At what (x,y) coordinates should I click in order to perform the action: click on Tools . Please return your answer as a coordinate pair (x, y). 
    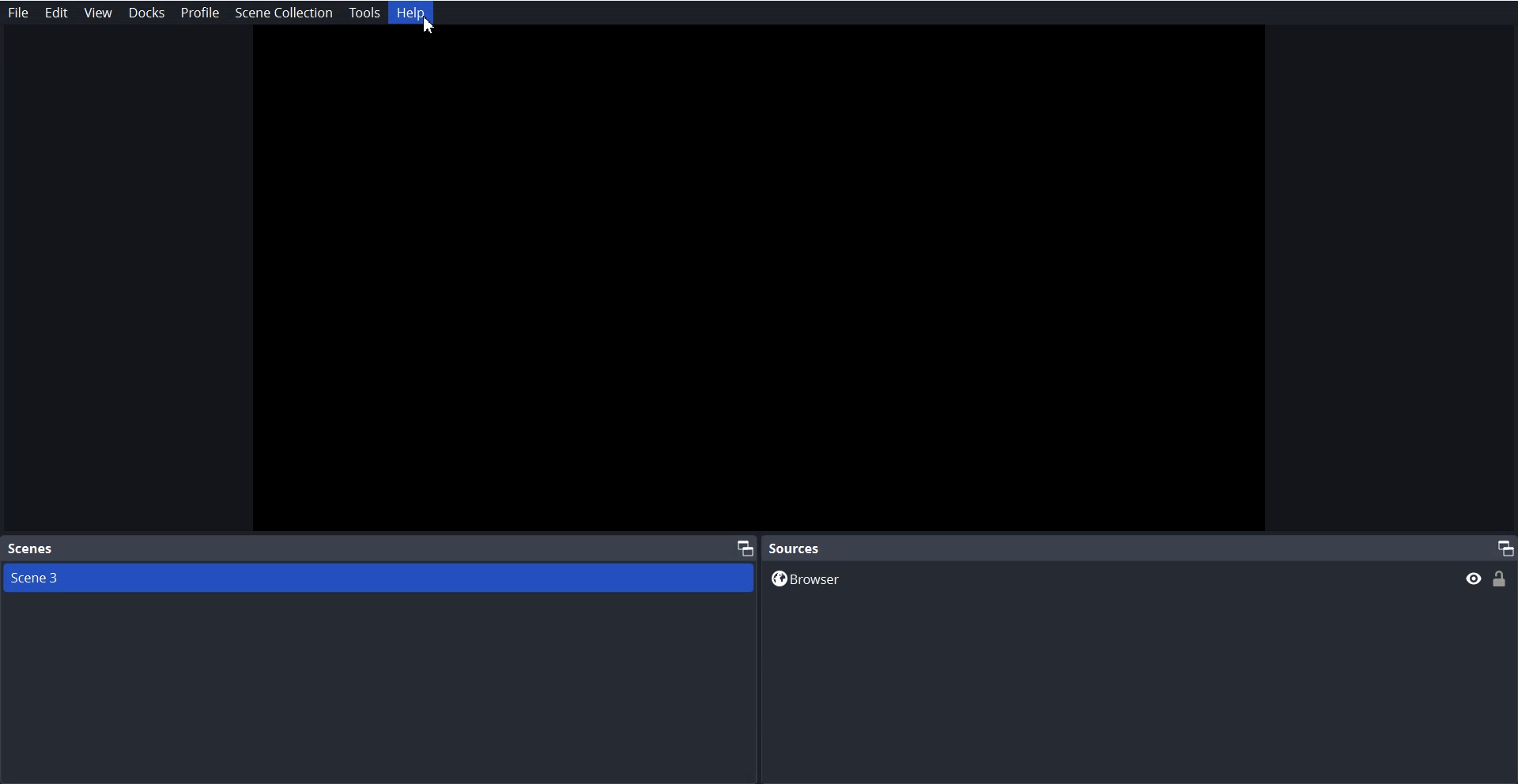
    Looking at the image, I should click on (363, 13).